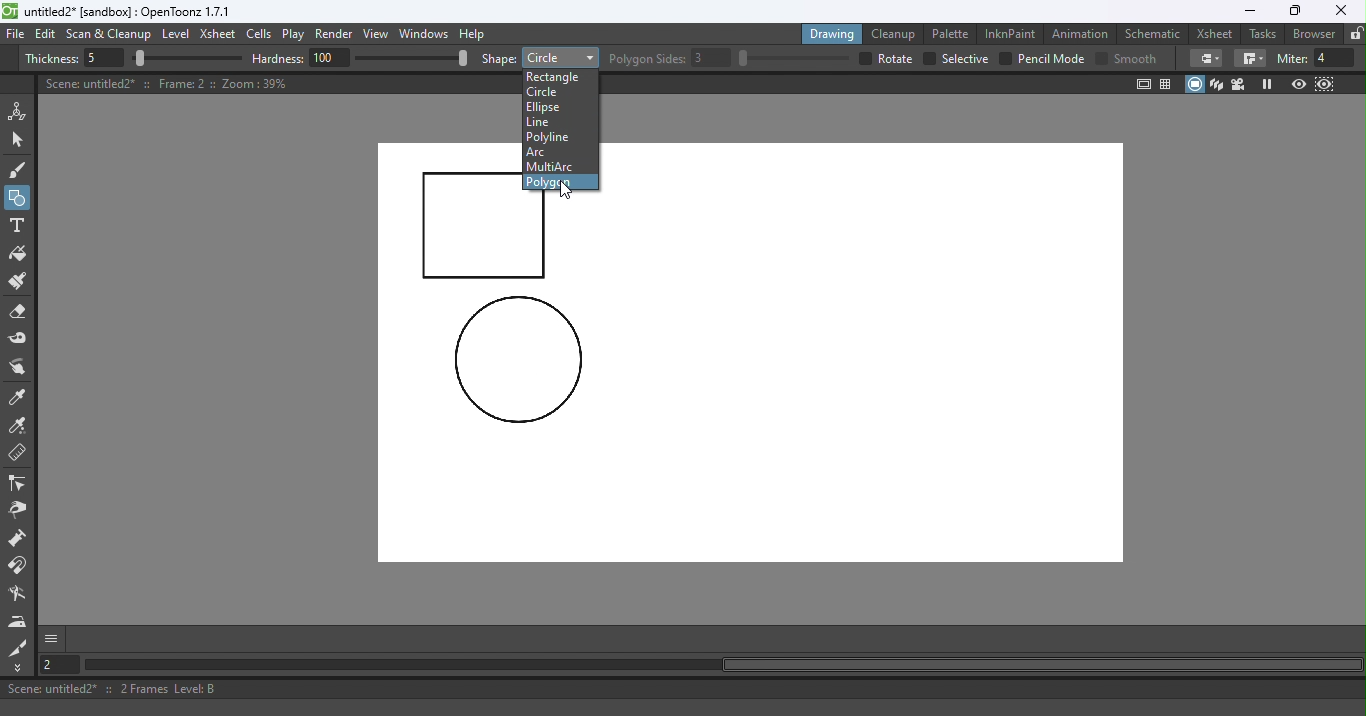 The image size is (1366, 716). I want to click on 5, so click(101, 59).